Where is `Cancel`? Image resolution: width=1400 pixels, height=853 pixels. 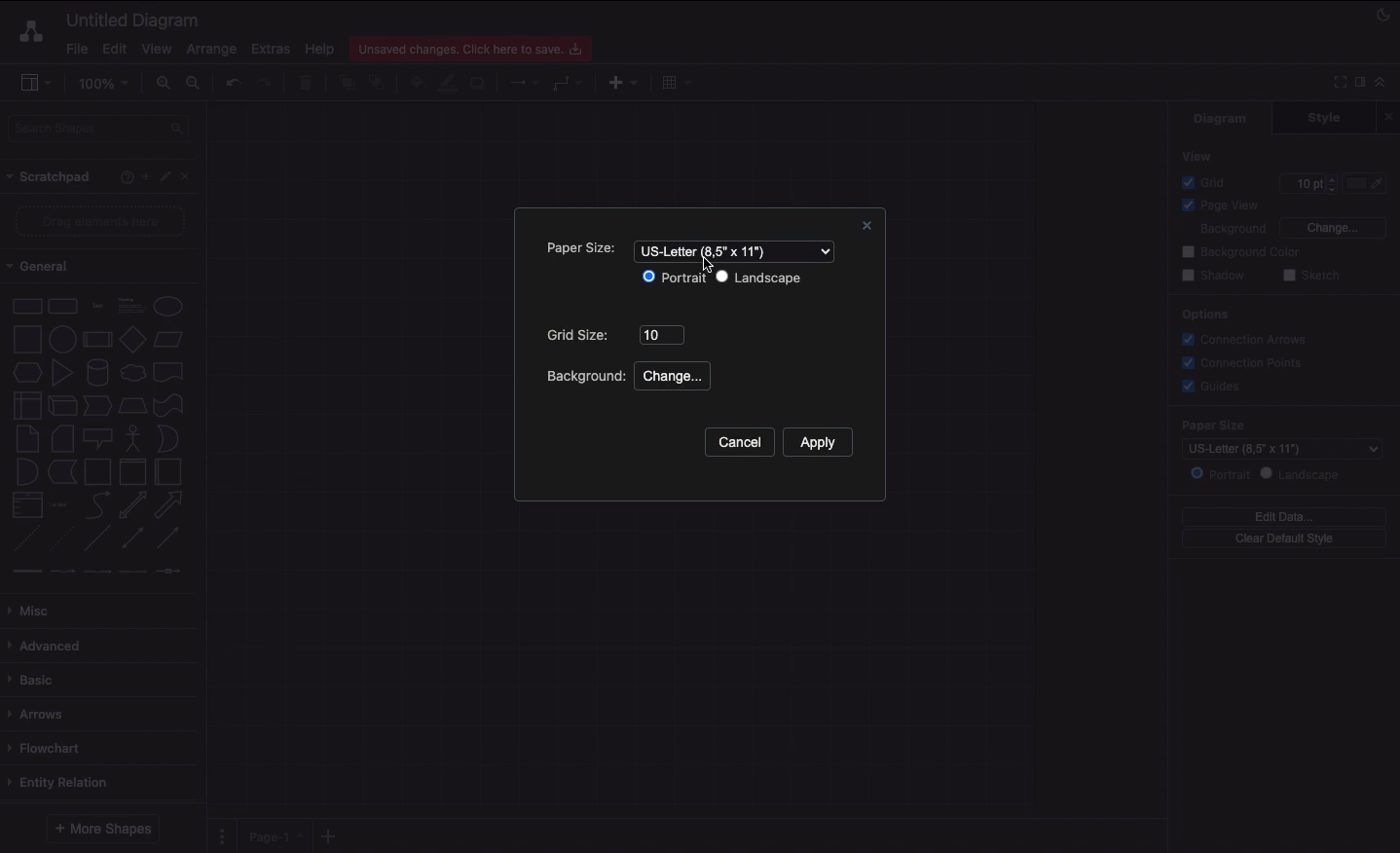 Cancel is located at coordinates (738, 443).